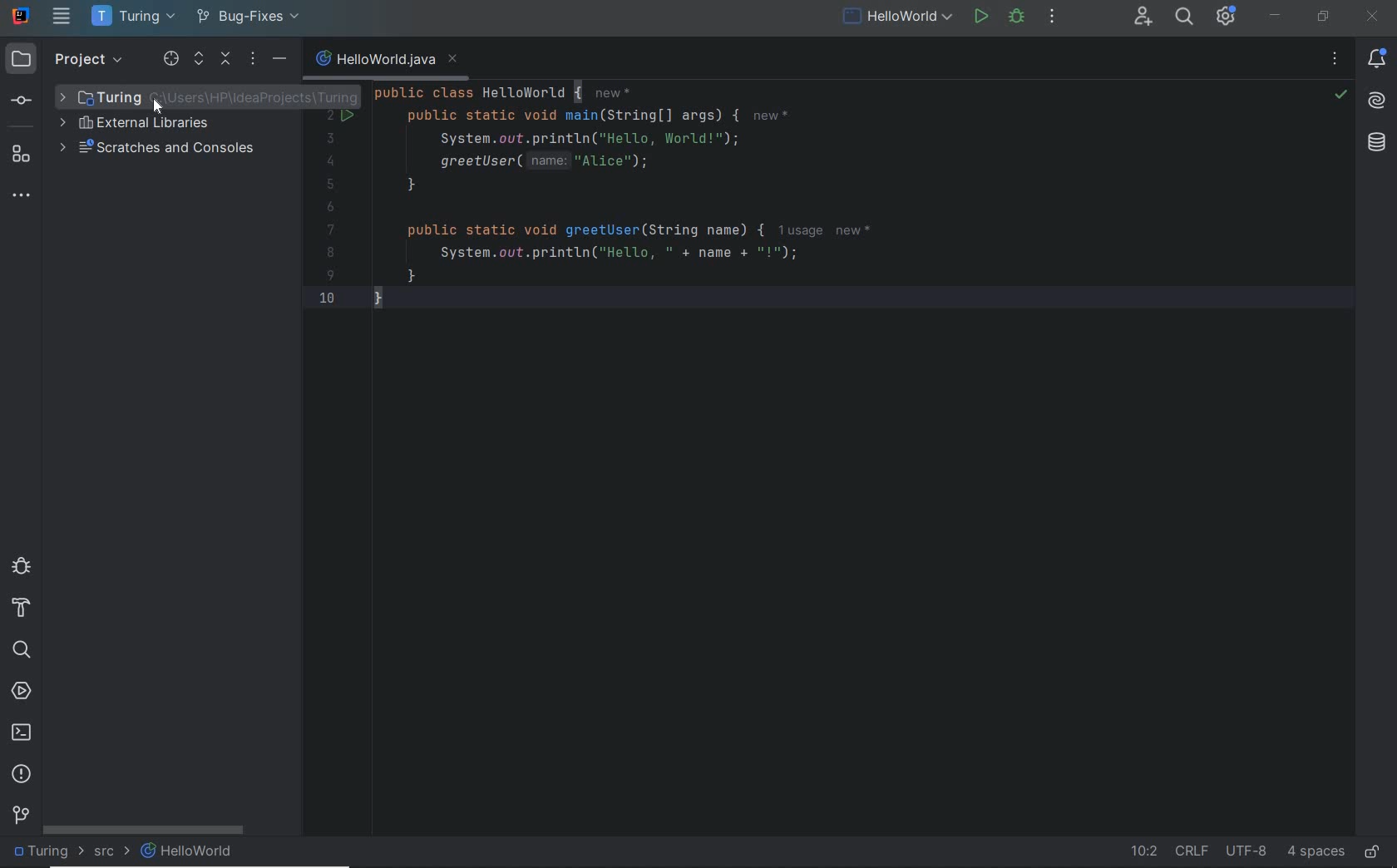 The width and height of the screenshot is (1397, 868). Describe the element at coordinates (330, 208) in the screenshot. I see `6` at that location.